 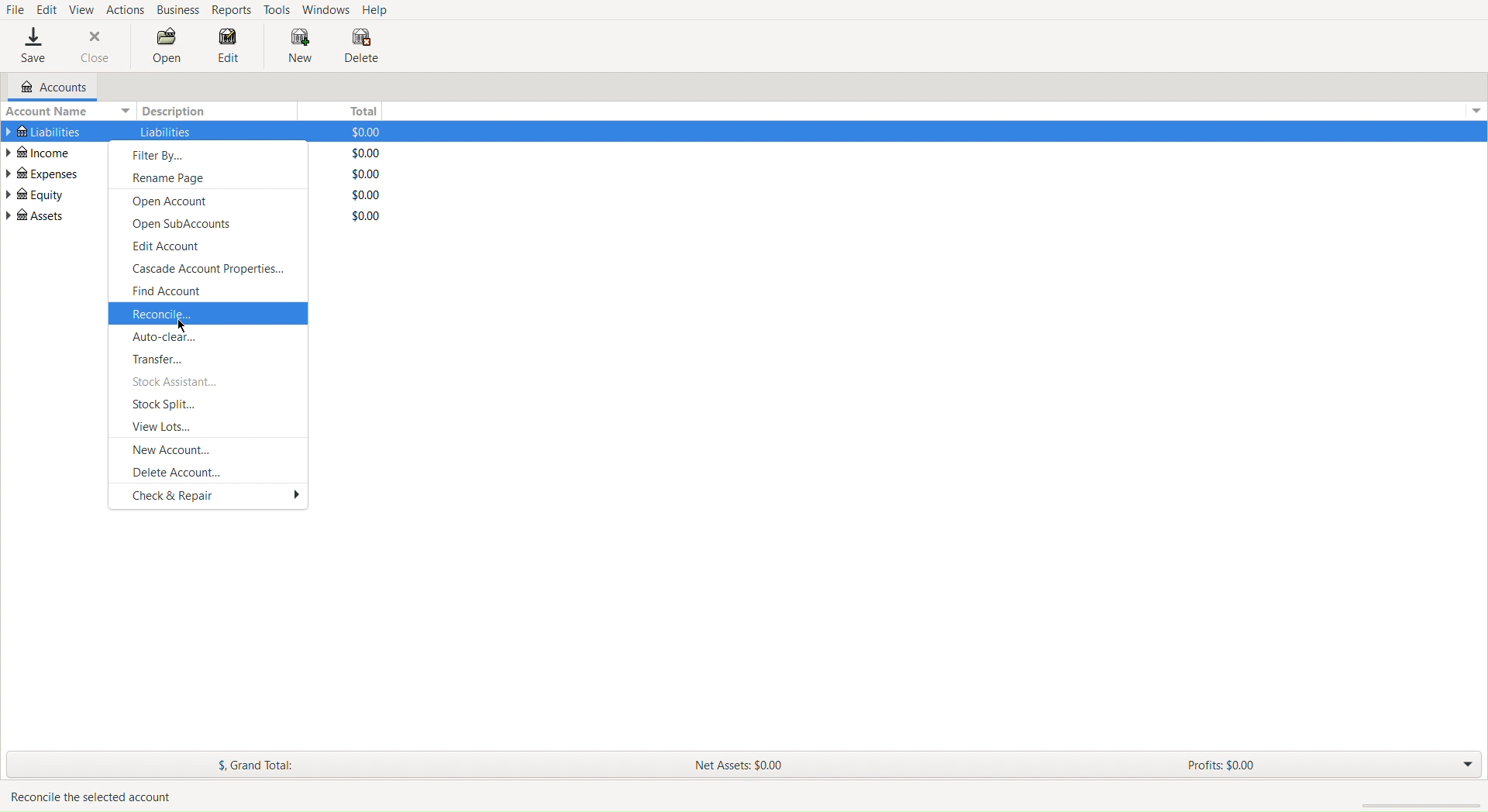 I want to click on Open Sub Accounts, so click(x=206, y=225).